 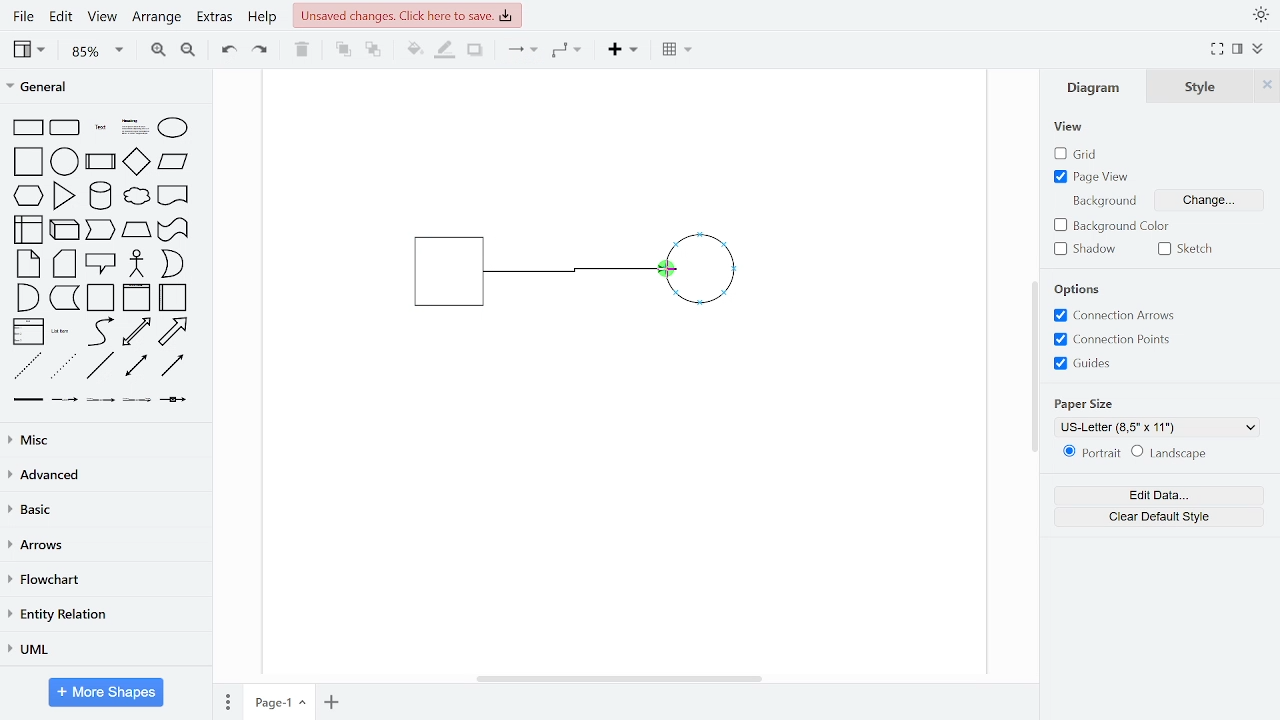 What do you see at coordinates (99, 230) in the screenshot?
I see `step` at bounding box center [99, 230].